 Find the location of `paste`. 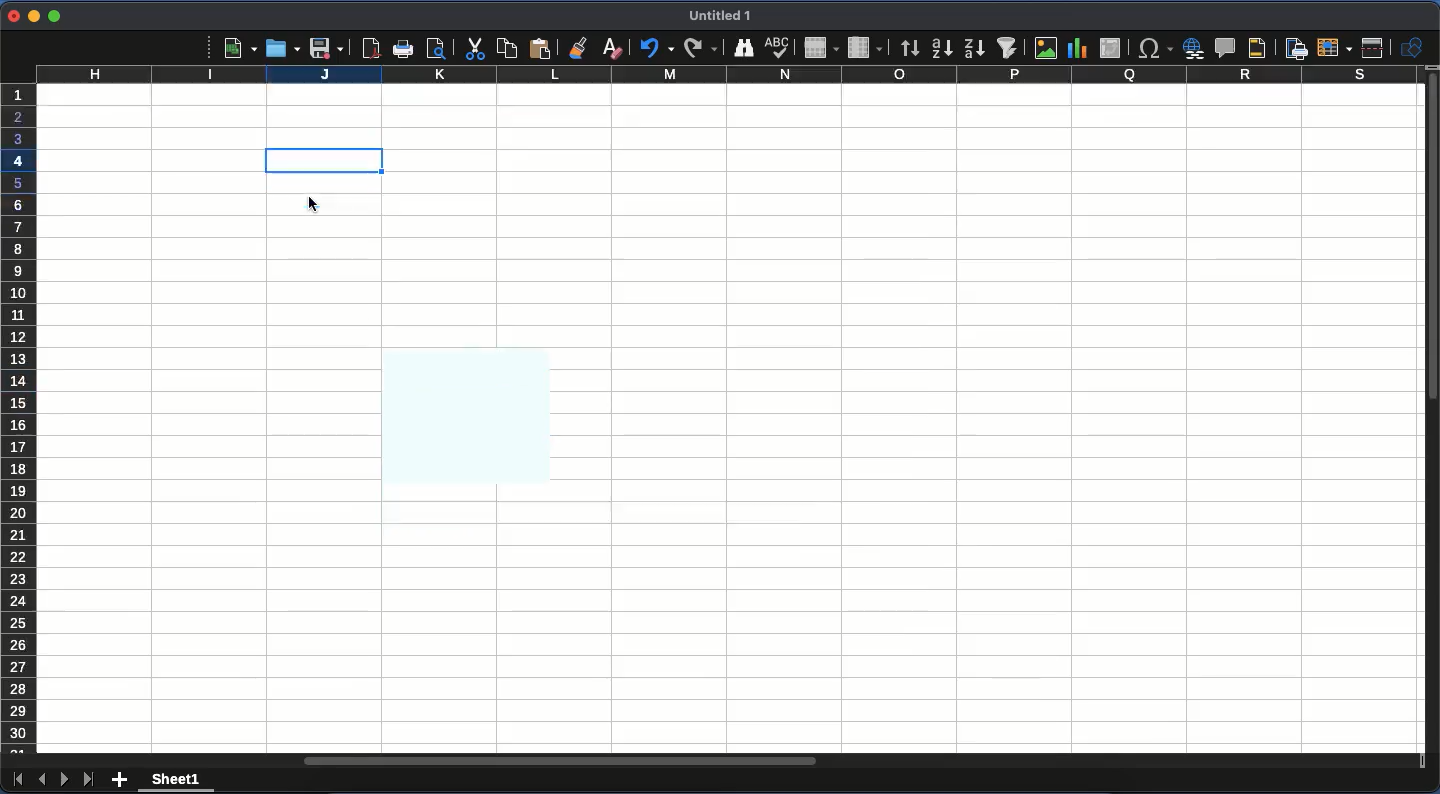

paste is located at coordinates (505, 47).